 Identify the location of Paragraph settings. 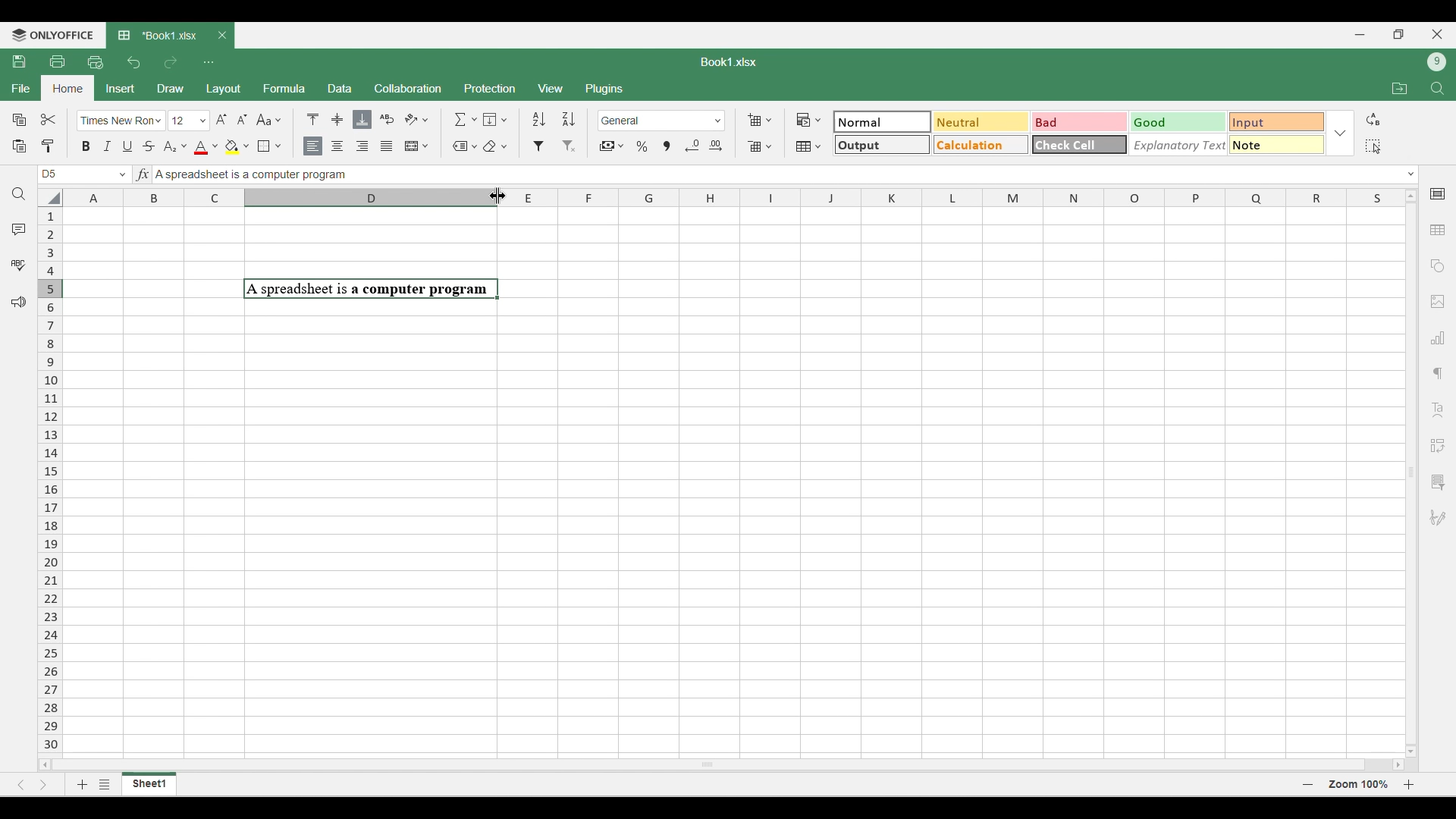
(1438, 374).